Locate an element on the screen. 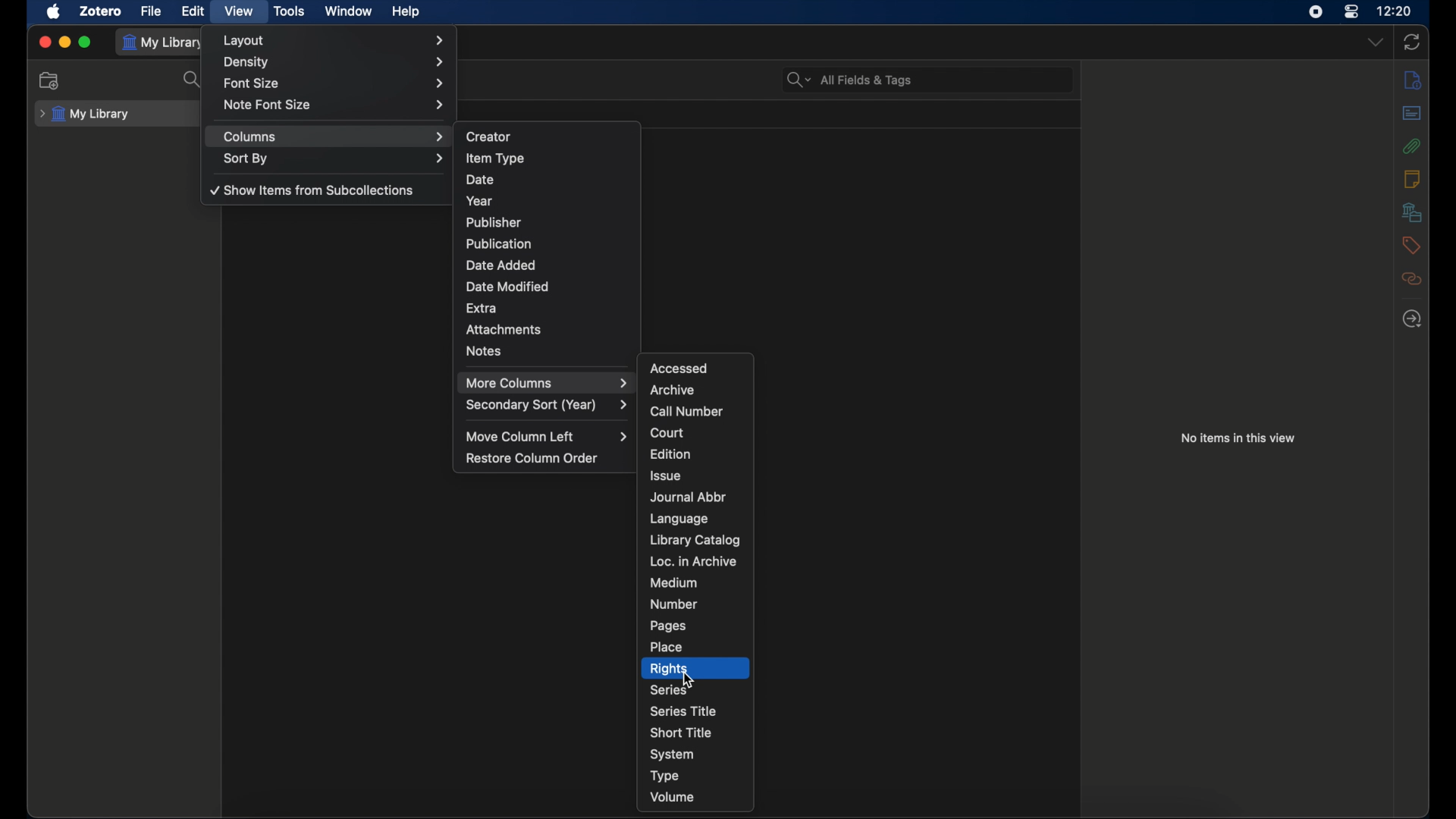  columns is located at coordinates (332, 137).